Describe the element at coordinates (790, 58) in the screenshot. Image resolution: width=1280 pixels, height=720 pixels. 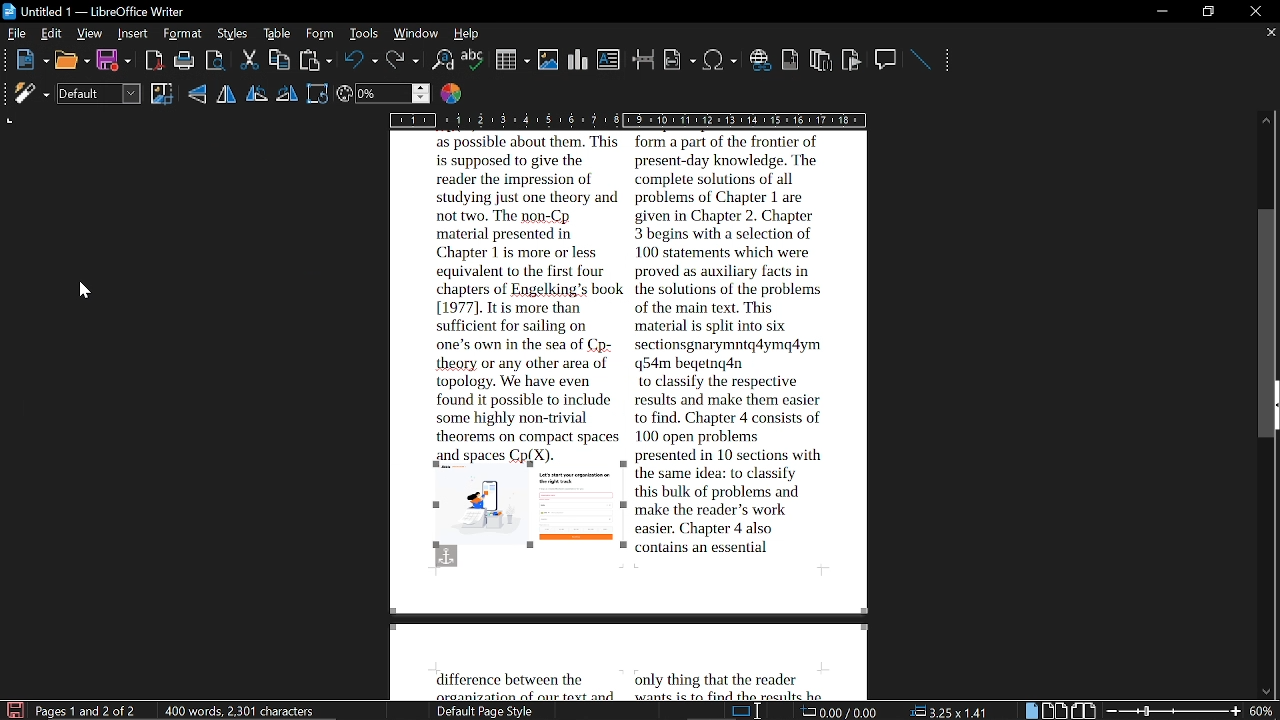
I see `insert footnote` at that location.